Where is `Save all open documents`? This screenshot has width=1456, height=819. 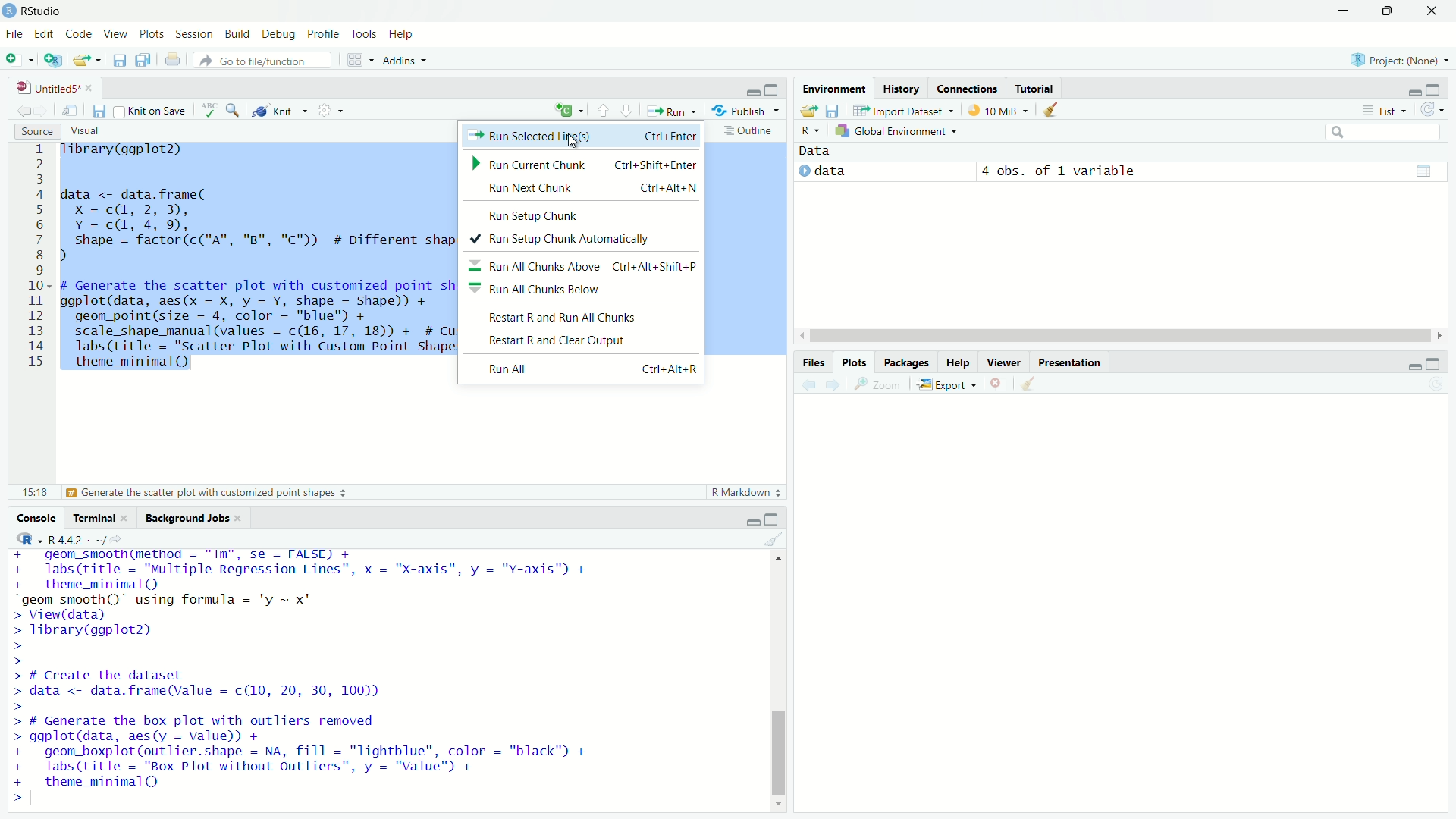 Save all open documents is located at coordinates (143, 59).